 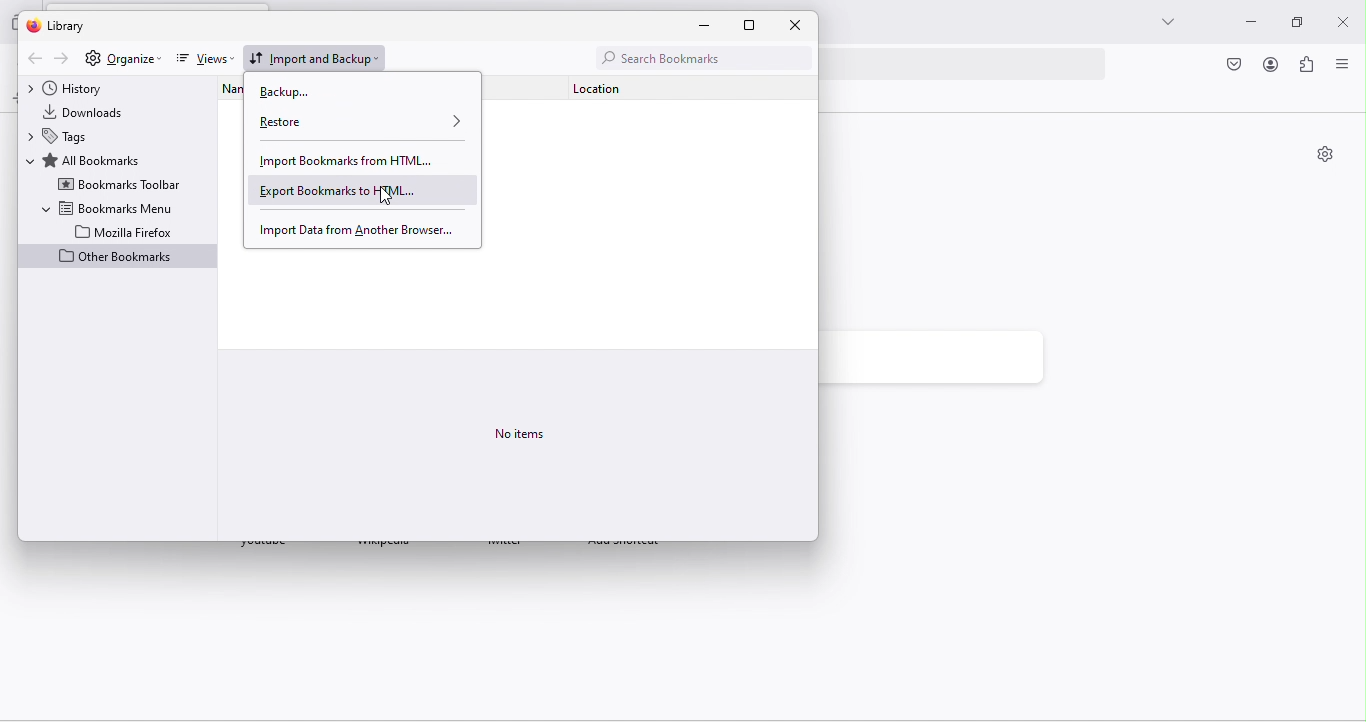 What do you see at coordinates (1165, 22) in the screenshot?
I see `more` at bounding box center [1165, 22].